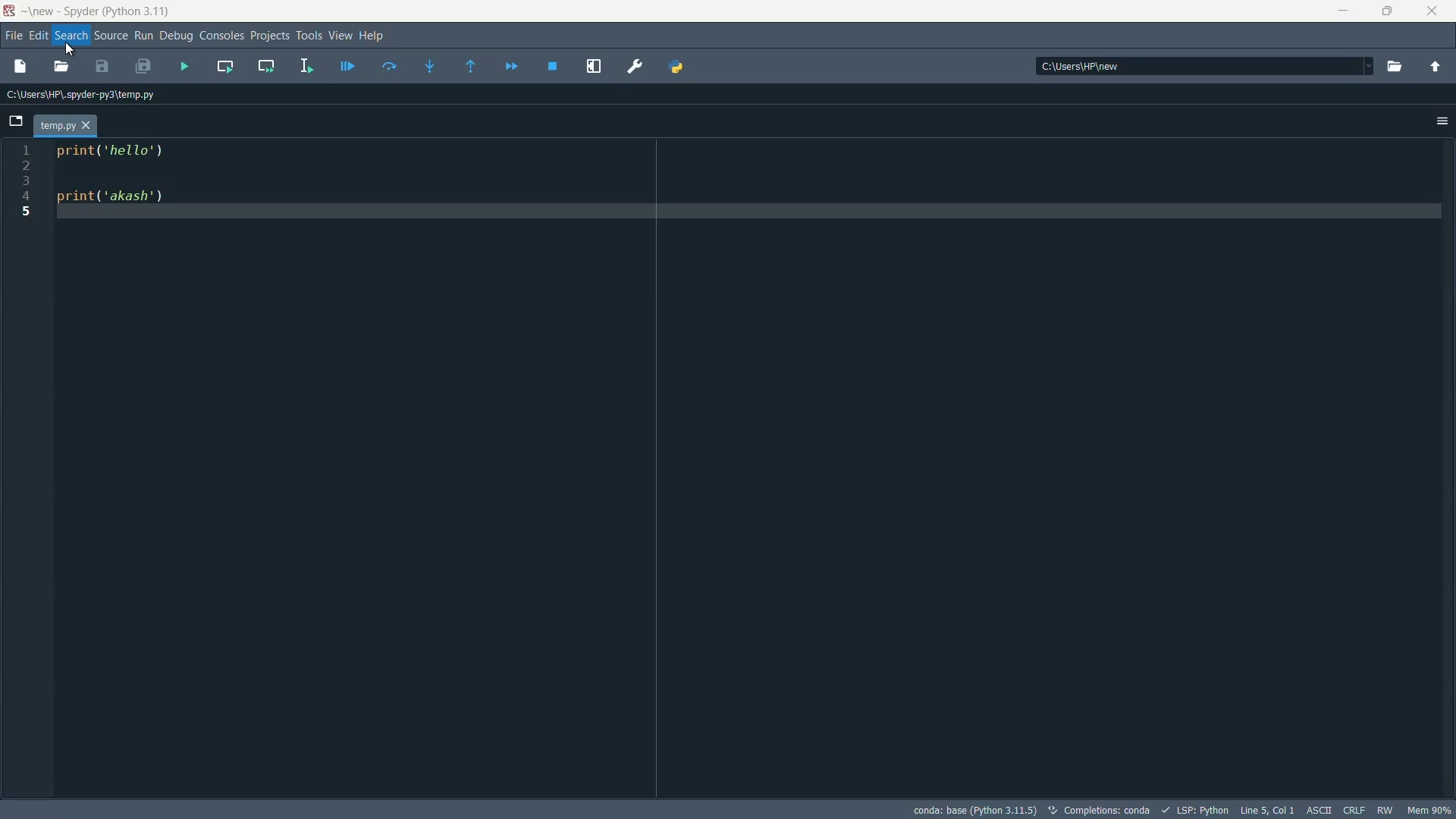 This screenshot has height=819, width=1456. Describe the element at coordinates (265, 65) in the screenshot. I see `run current cell and go to the next one` at that location.